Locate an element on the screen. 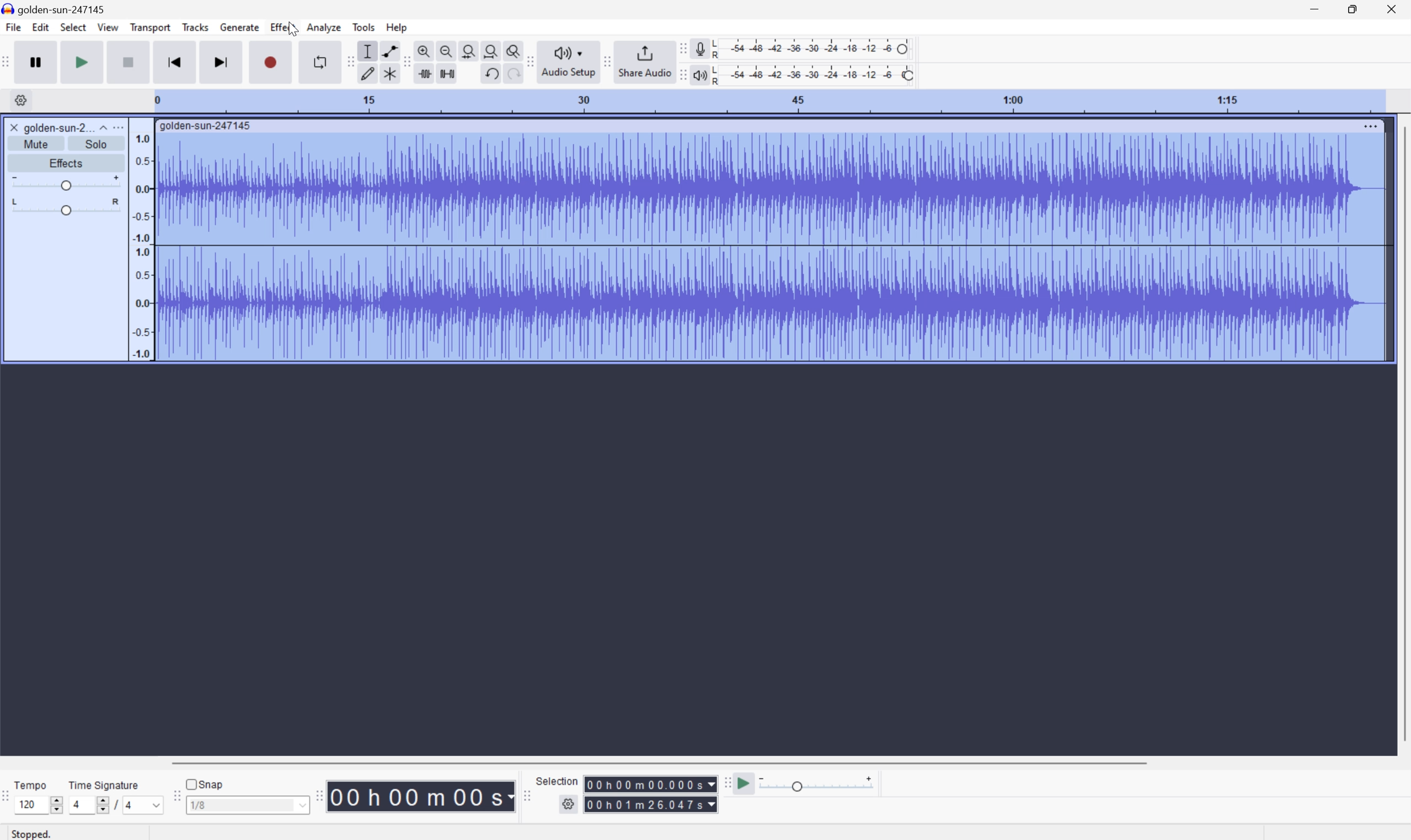 This screenshot has width=1411, height=840. Snap is located at coordinates (205, 783).